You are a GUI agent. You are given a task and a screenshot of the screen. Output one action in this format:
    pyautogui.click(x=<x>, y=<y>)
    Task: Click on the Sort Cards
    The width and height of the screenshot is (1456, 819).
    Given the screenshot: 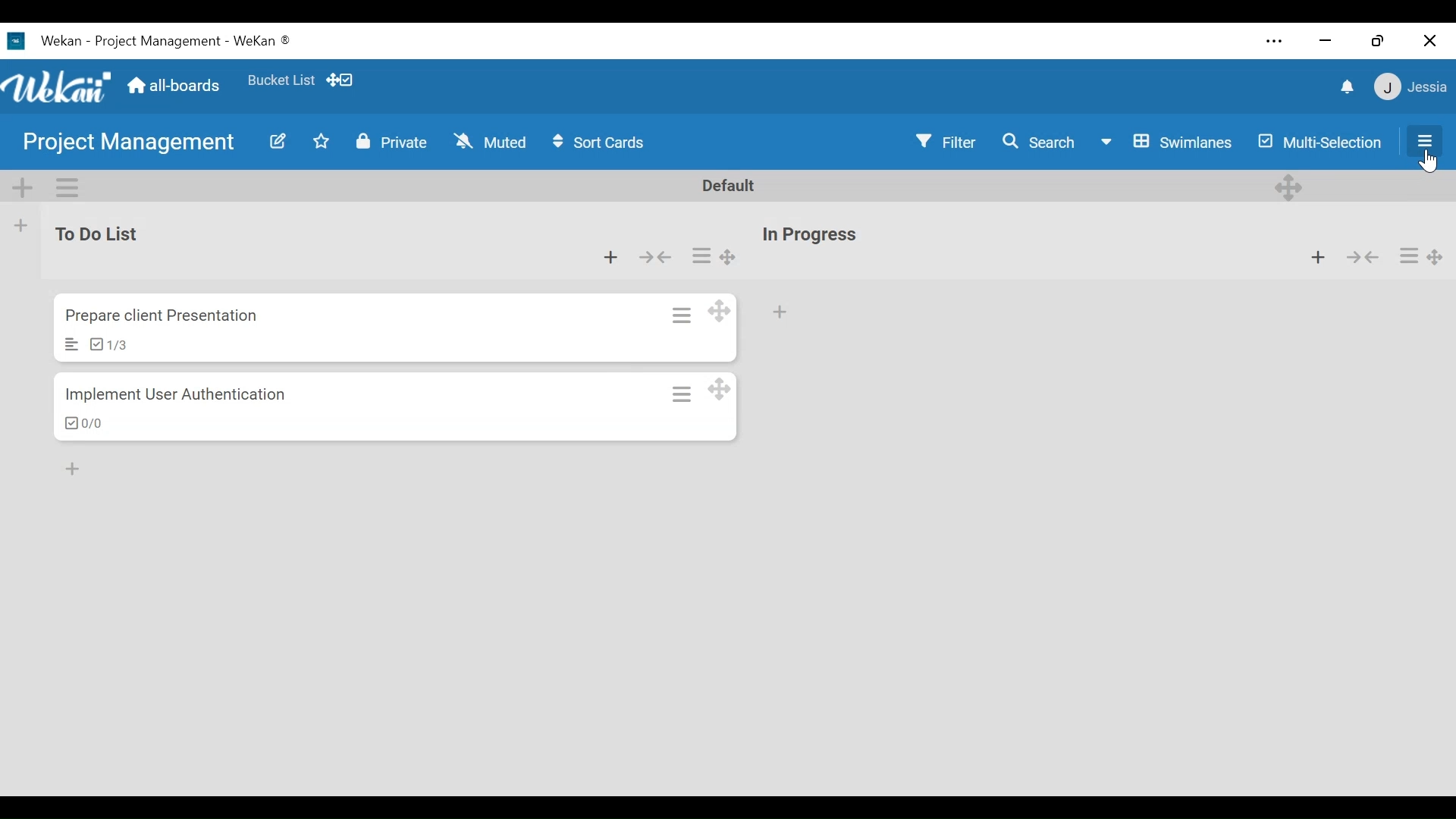 What is the action you would take?
    pyautogui.click(x=604, y=144)
    